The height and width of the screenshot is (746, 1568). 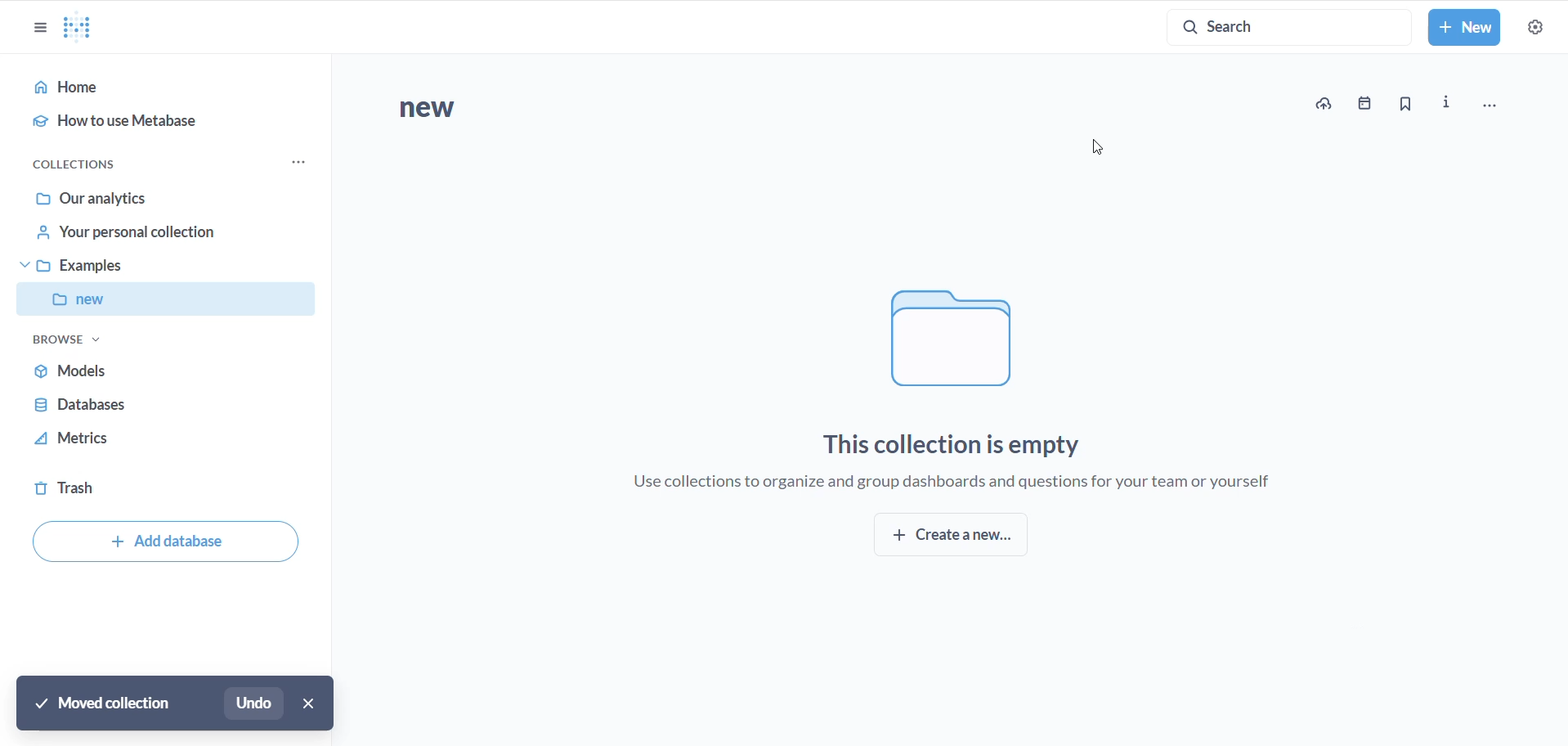 What do you see at coordinates (90, 162) in the screenshot?
I see `collections` at bounding box center [90, 162].